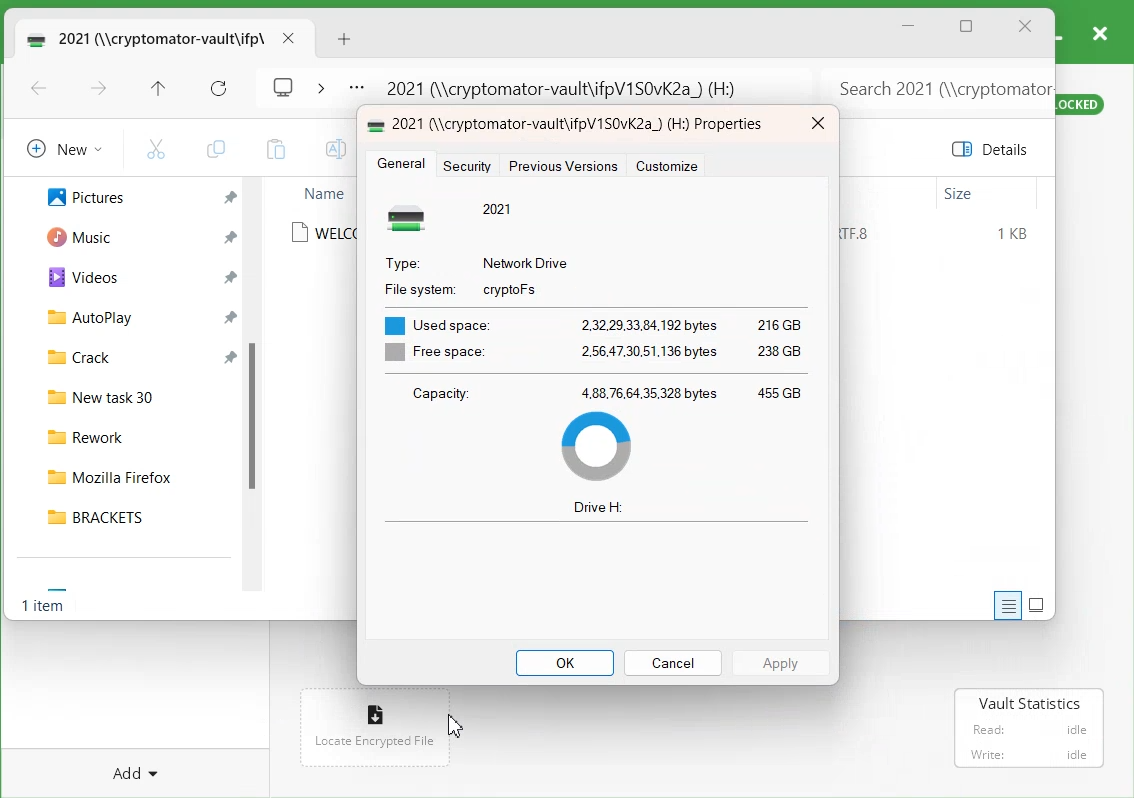 The width and height of the screenshot is (1134, 798). I want to click on Word RTF 8, so click(863, 234).